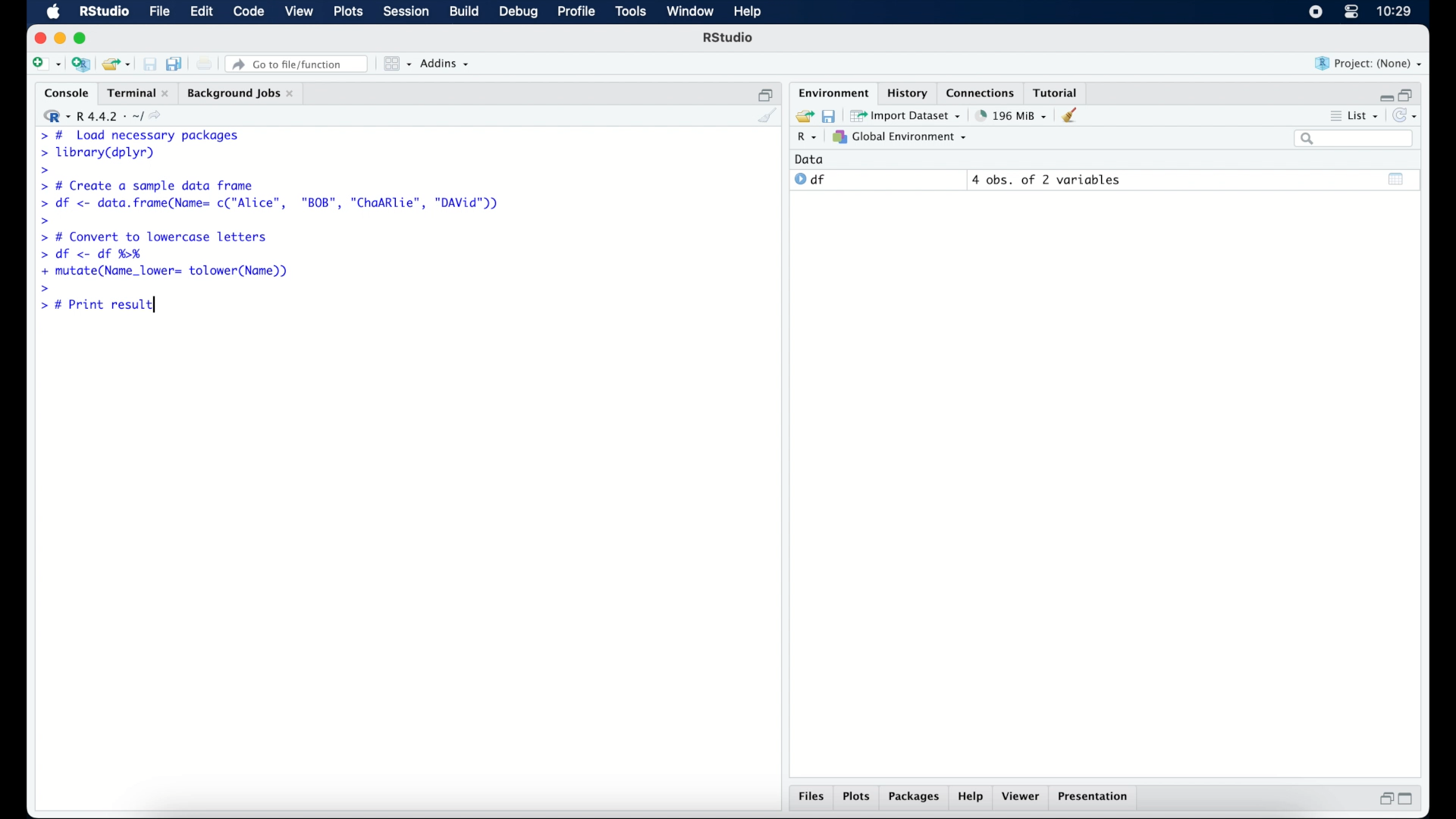 The image size is (1456, 819). Describe the element at coordinates (907, 115) in the screenshot. I see `import dataset` at that location.